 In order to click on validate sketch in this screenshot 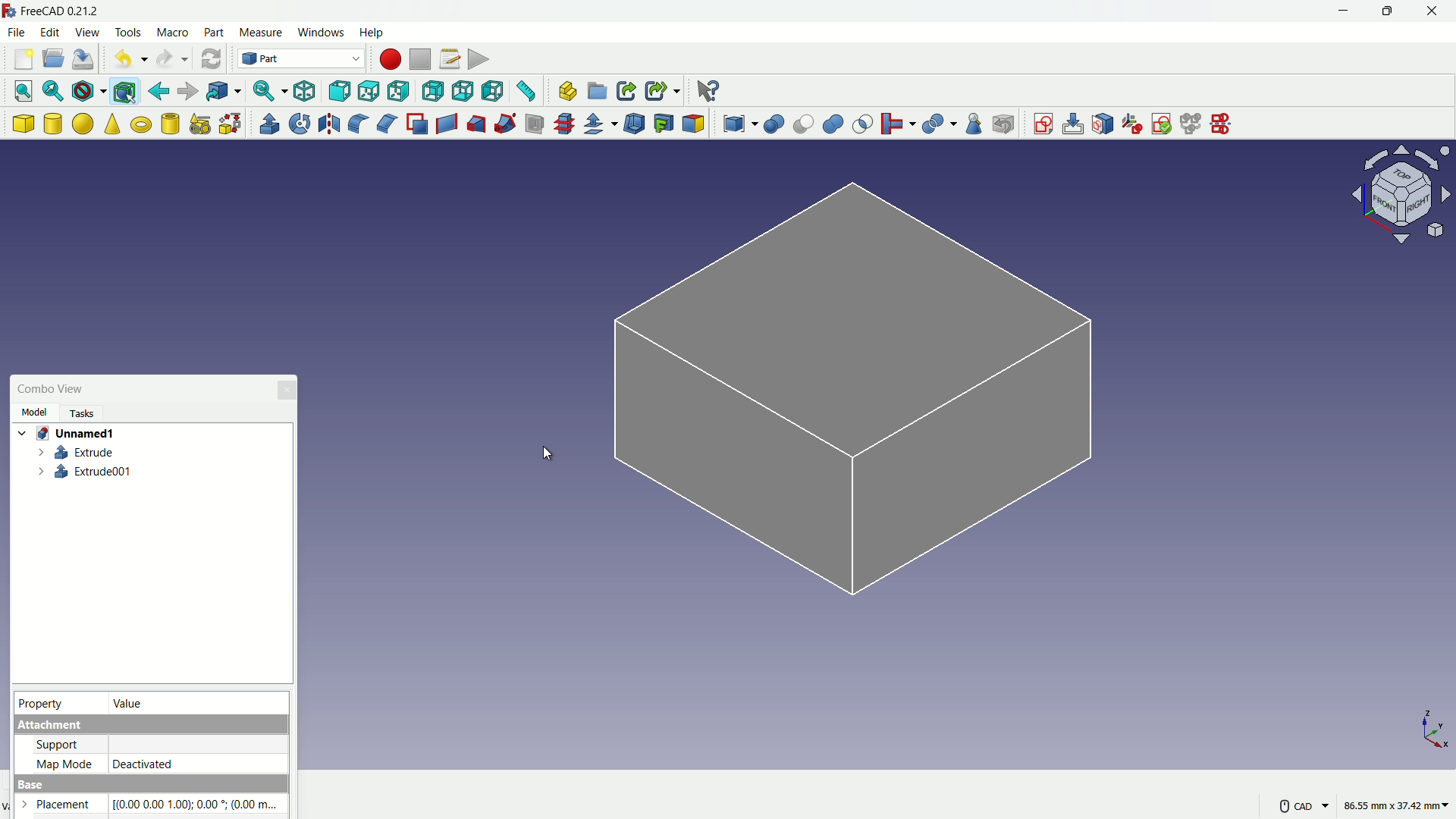, I will do `click(1162, 124)`.